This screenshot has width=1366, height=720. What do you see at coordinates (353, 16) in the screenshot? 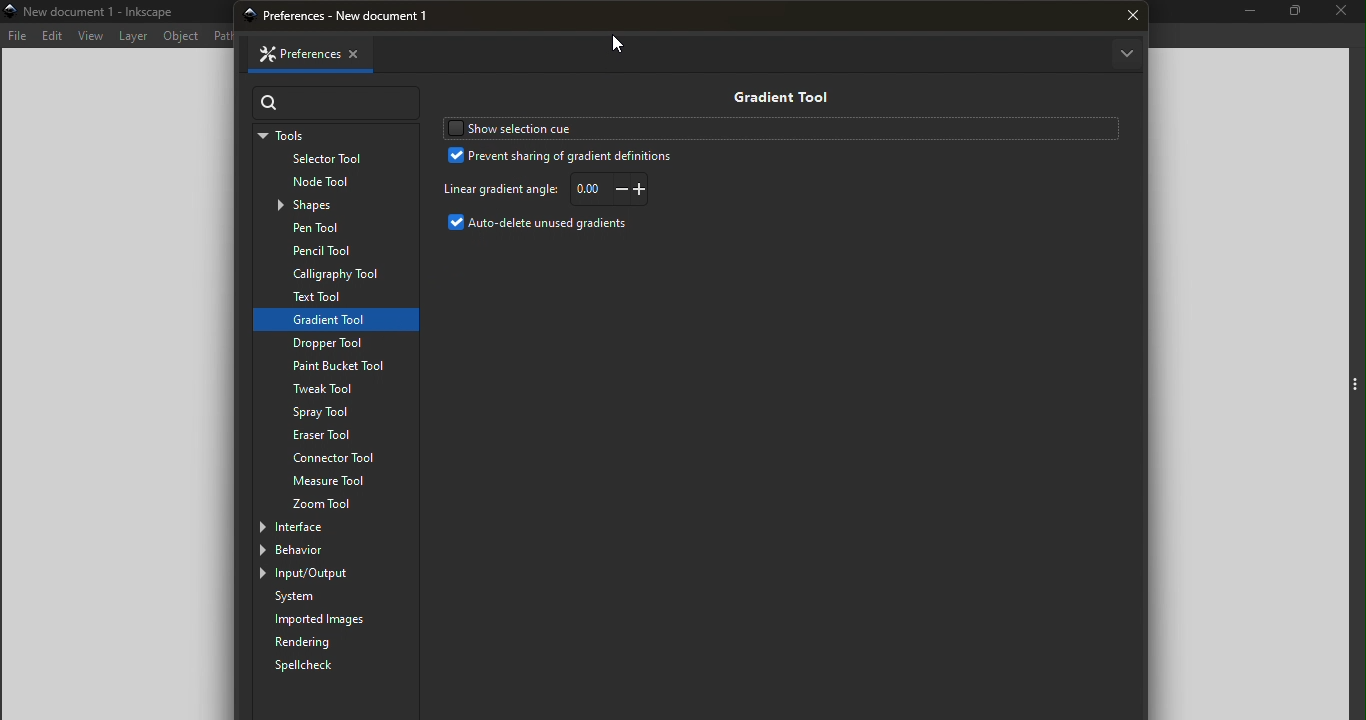
I see `preferences` at bounding box center [353, 16].